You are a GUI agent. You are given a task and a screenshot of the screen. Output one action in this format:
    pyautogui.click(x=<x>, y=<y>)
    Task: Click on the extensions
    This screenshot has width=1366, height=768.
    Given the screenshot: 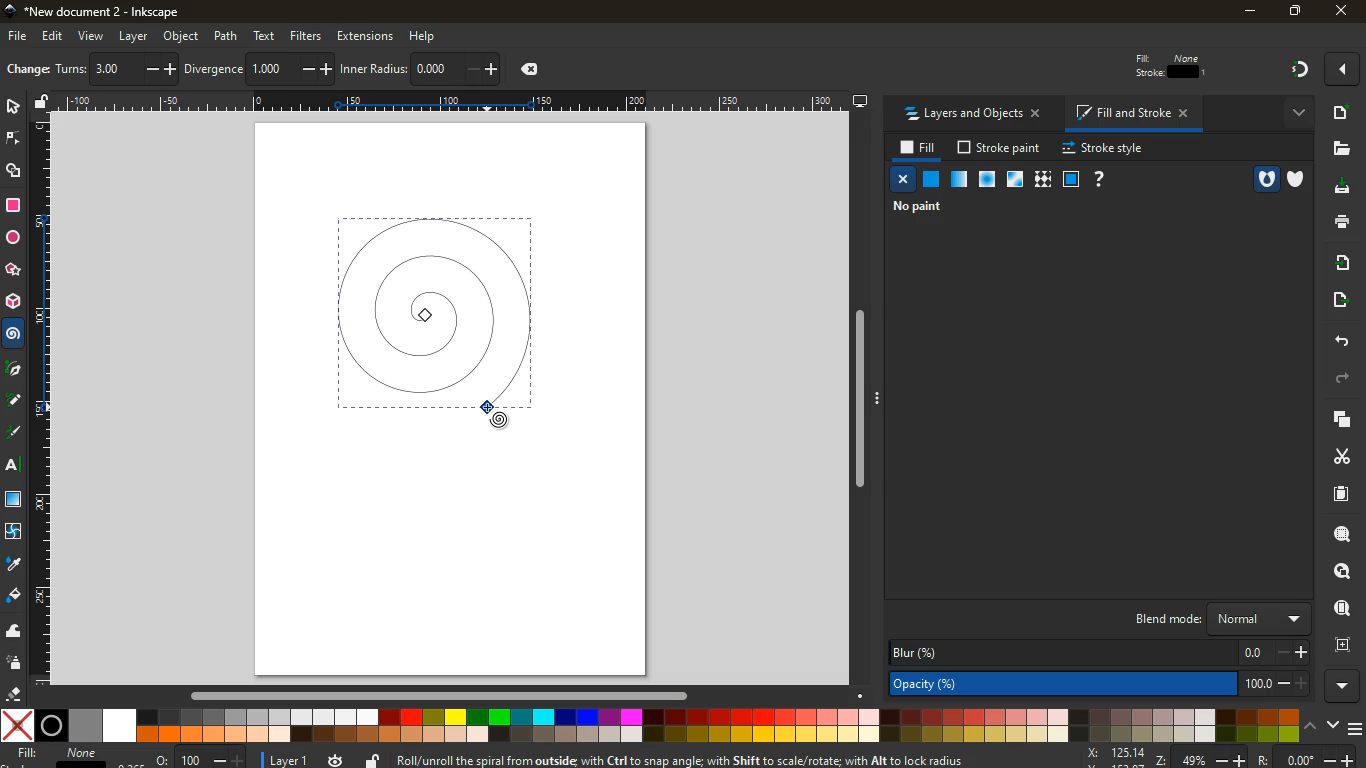 What is the action you would take?
    pyautogui.click(x=366, y=36)
    